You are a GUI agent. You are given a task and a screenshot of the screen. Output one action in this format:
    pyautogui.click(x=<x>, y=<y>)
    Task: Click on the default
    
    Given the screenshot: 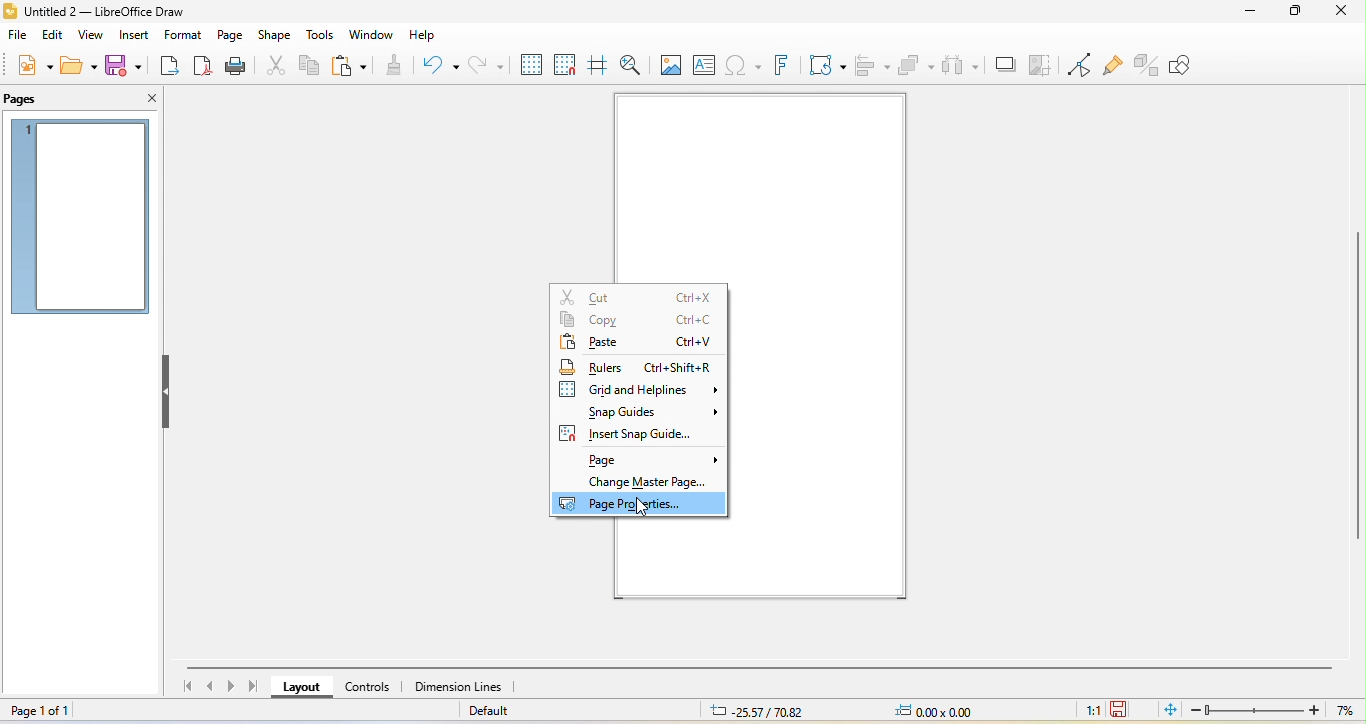 What is the action you would take?
    pyautogui.click(x=501, y=713)
    